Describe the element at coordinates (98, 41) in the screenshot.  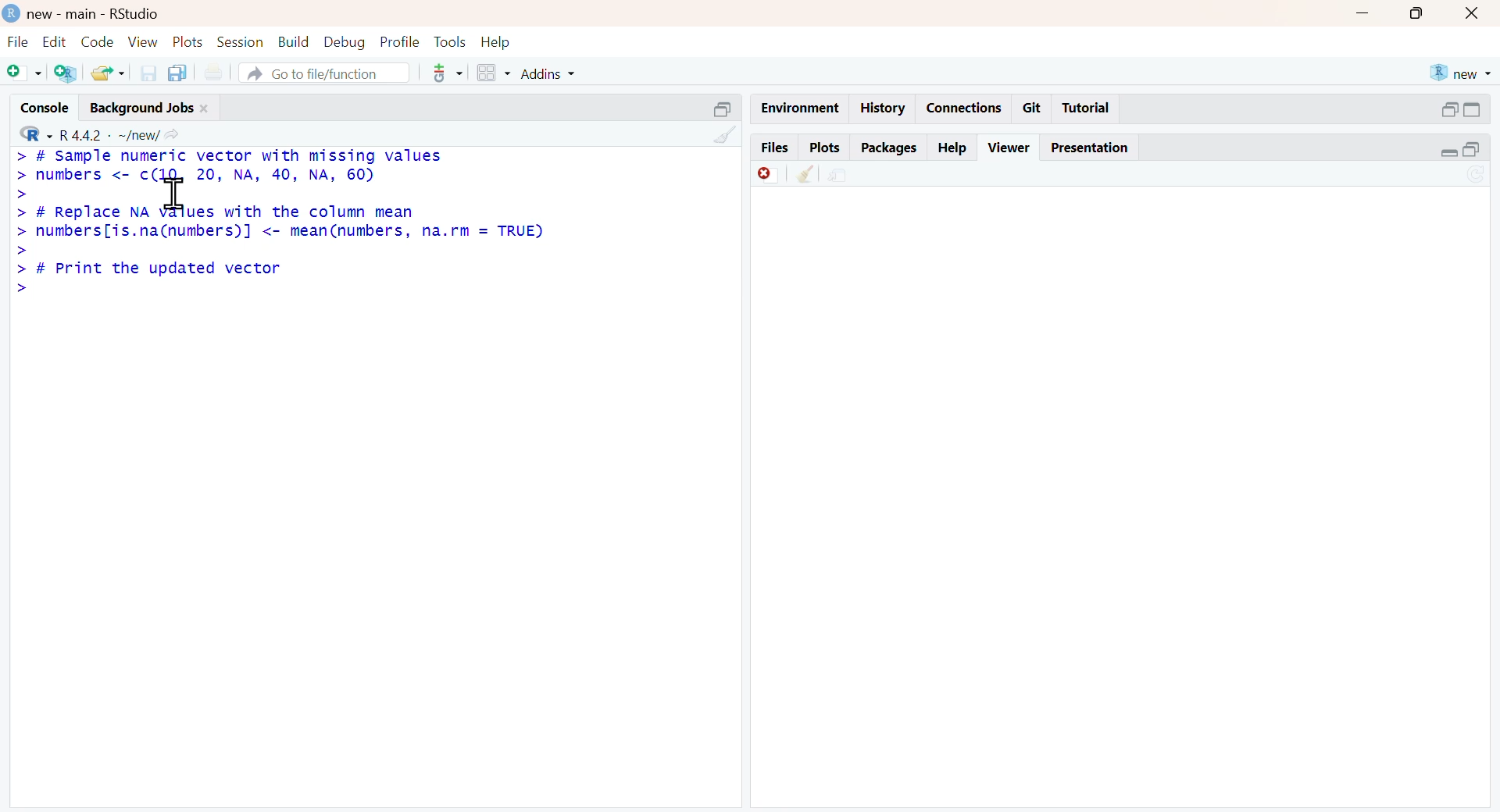
I see `code` at that location.